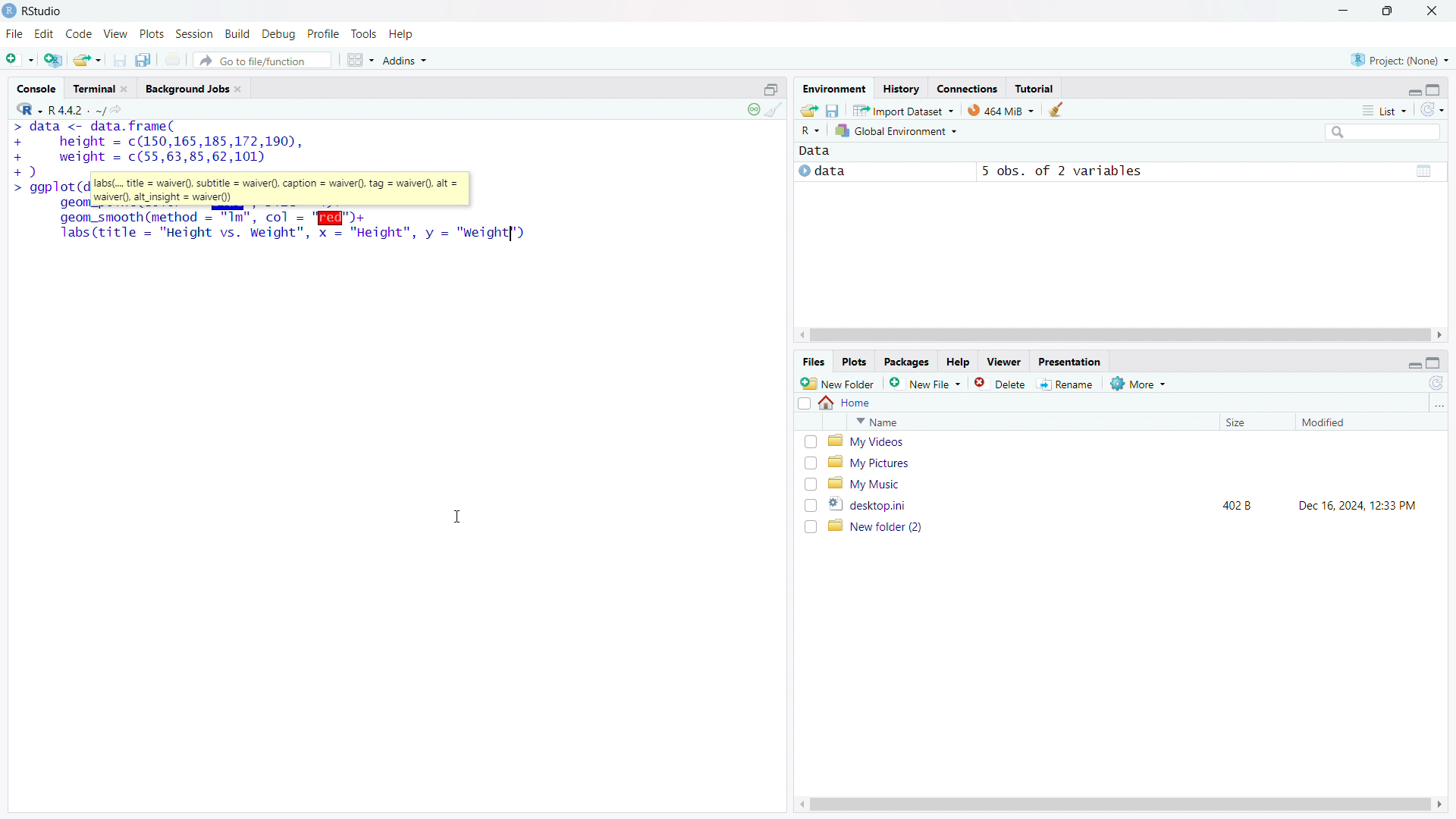 The width and height of the screenshot is (1456, 819). What do you see at coordinates (813, 362) in the screenshot?
I see `files` at bounding box center [813, 362].